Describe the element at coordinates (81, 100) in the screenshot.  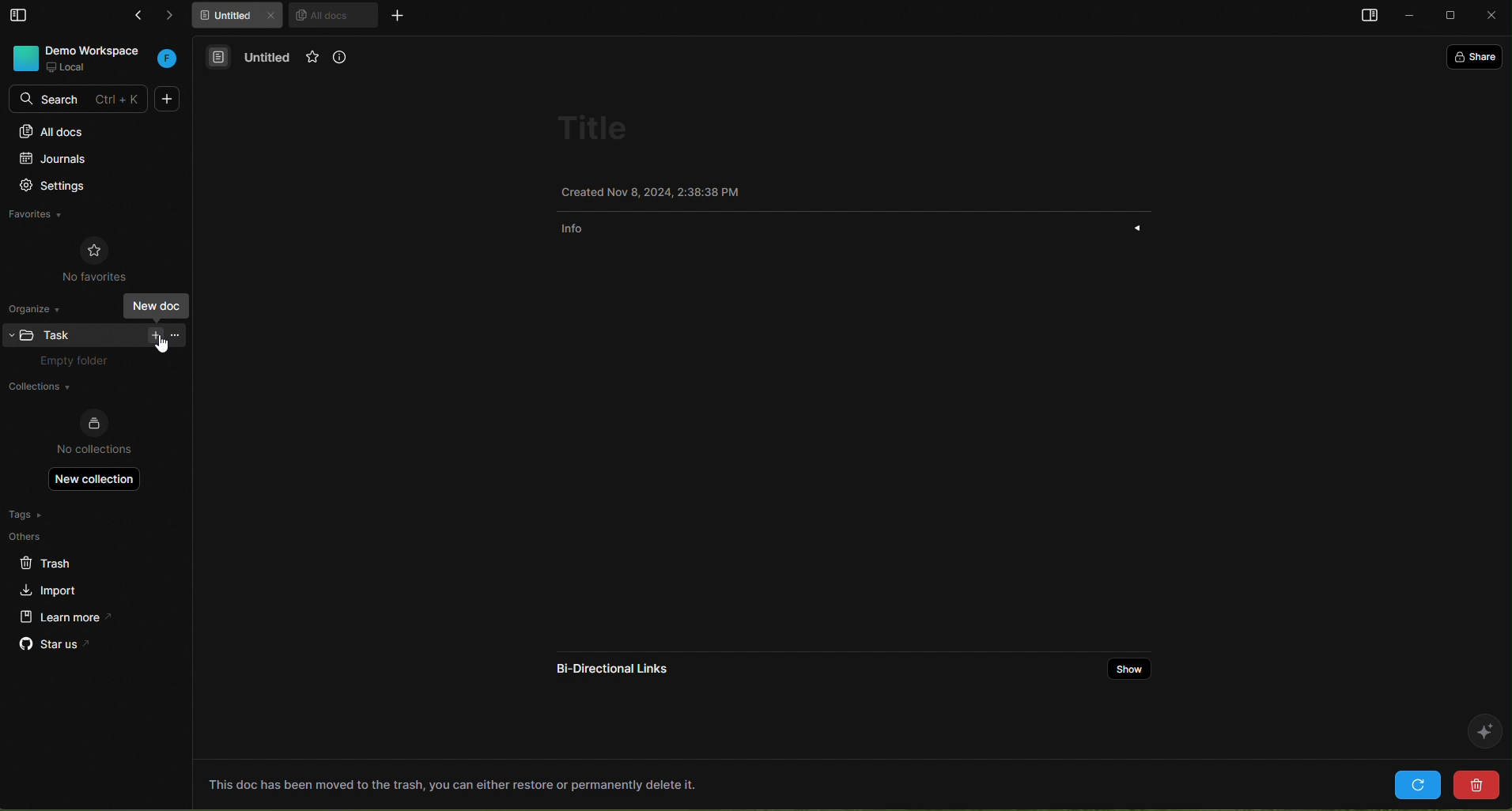
I see `SEARCH` at that location.